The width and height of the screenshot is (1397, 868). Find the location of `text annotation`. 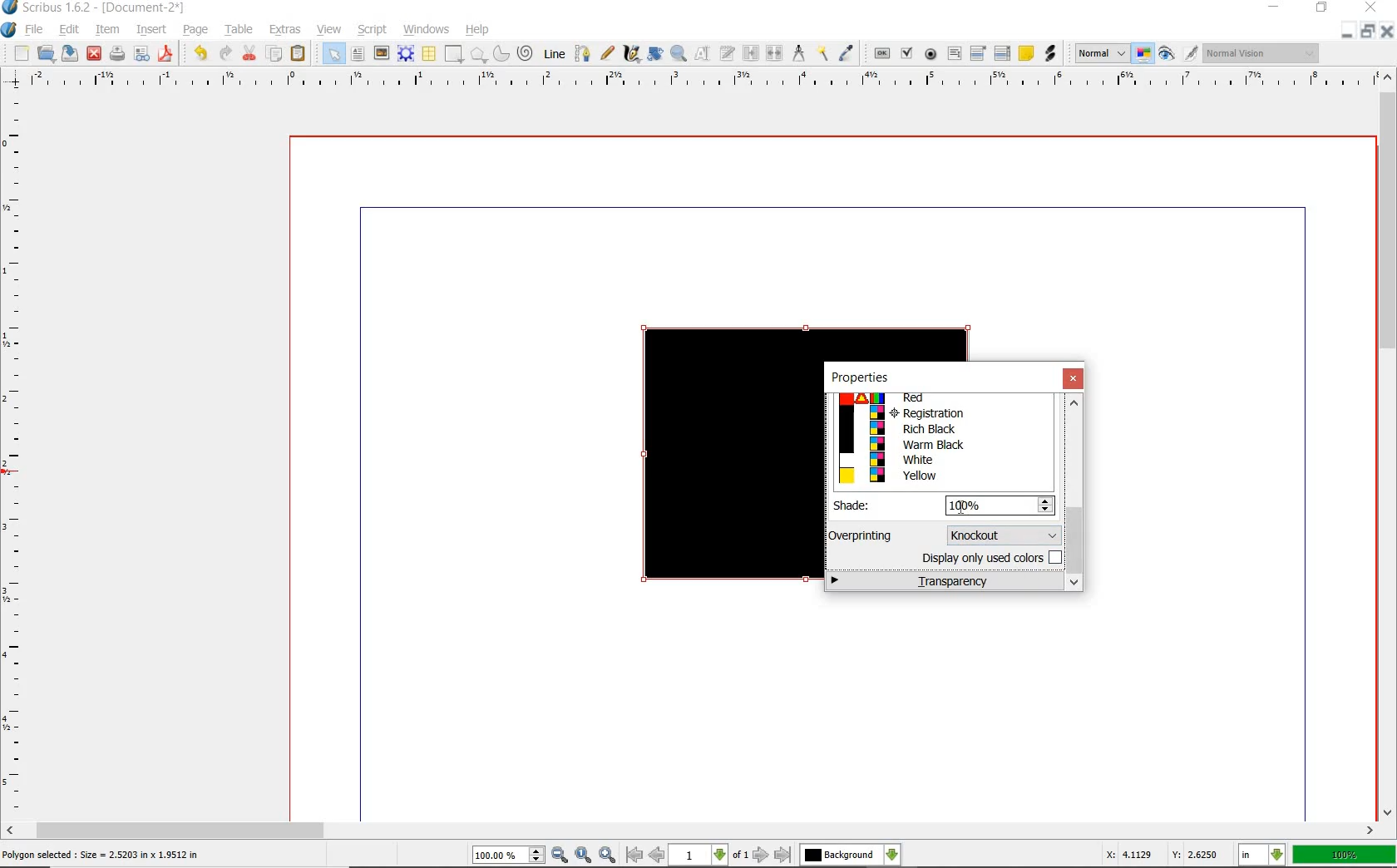

text annotation is located at coordinates (1026, 53).